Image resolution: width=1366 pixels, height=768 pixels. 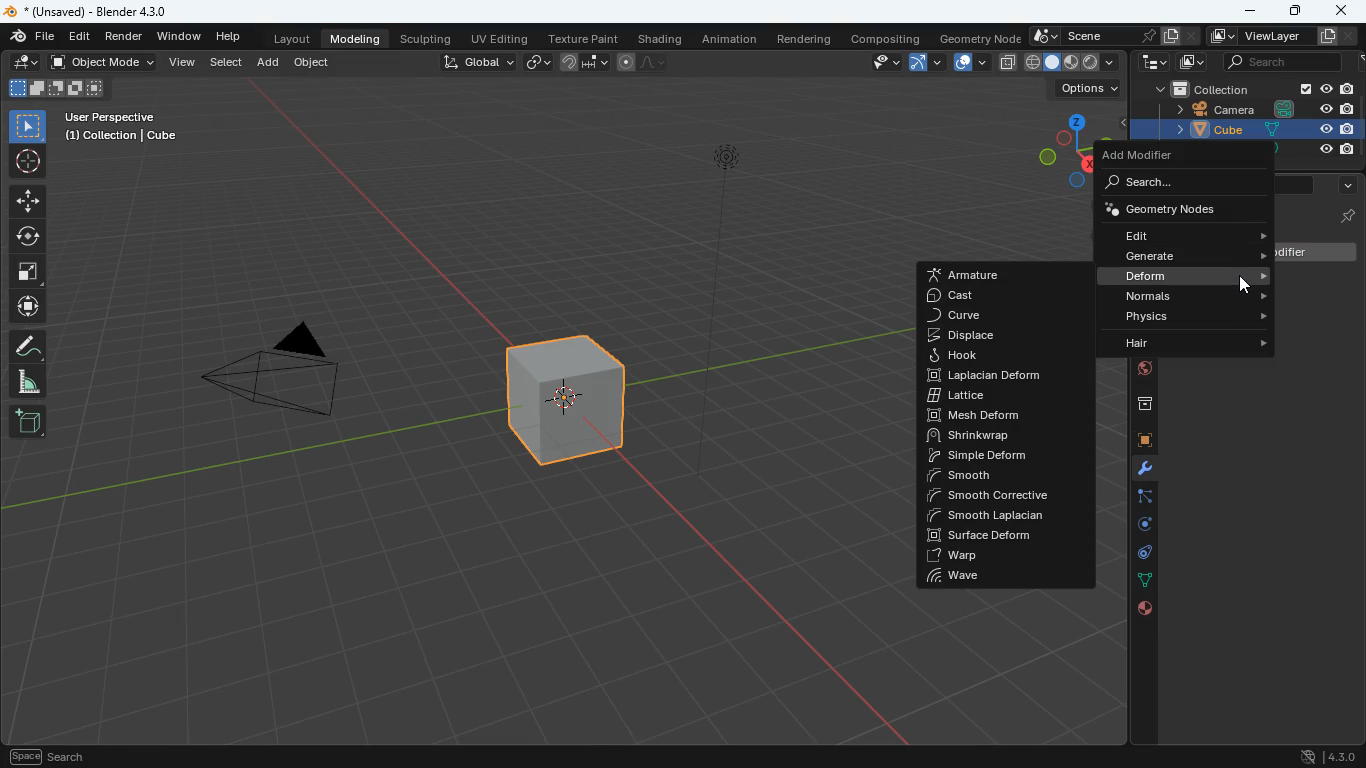 What do you see at coordinates (79, 36) in the screenshot?
I see `edit` at bounding box center [79, 36].